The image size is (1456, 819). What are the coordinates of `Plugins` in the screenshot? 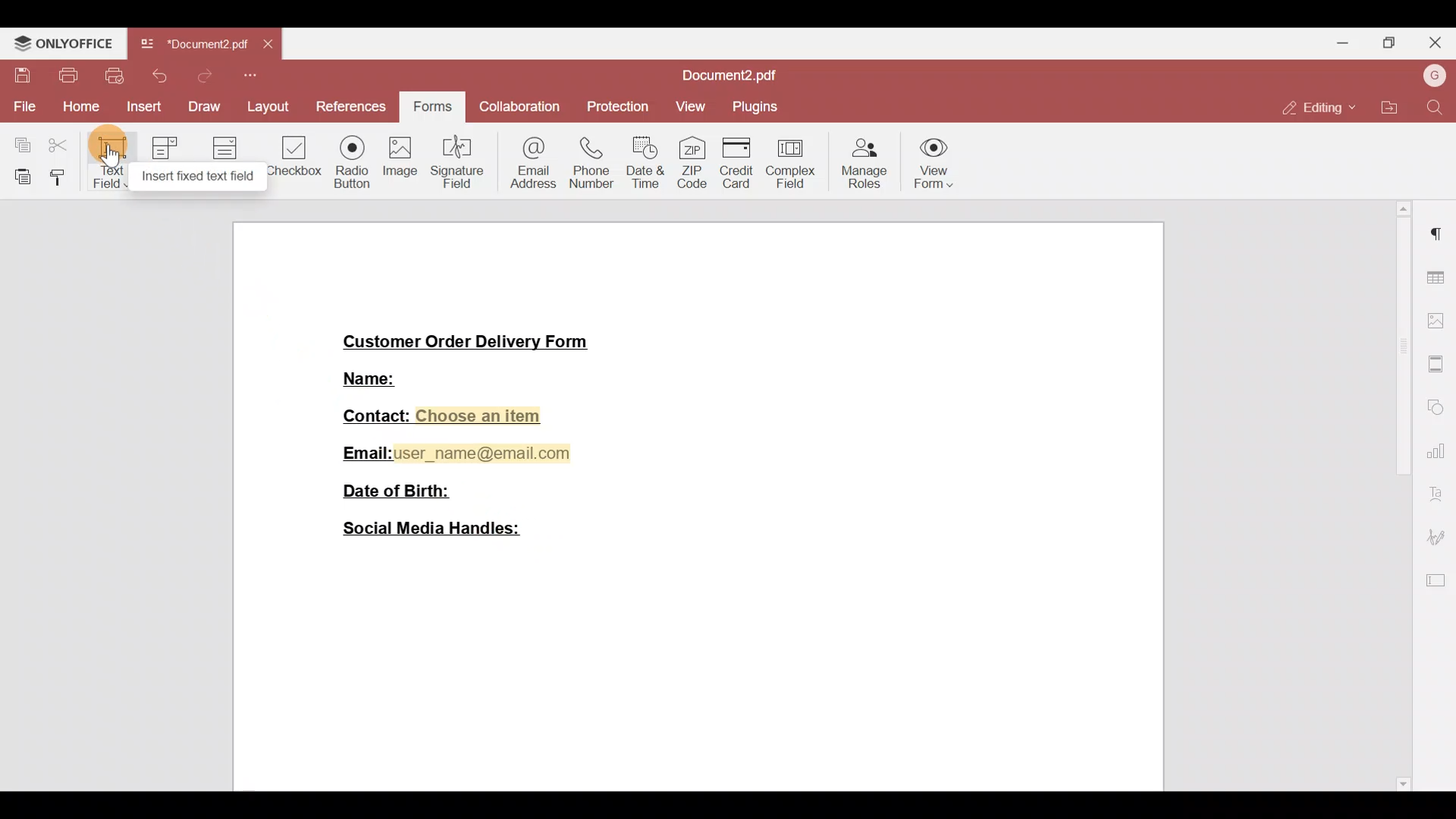 It's located at (756, 107).